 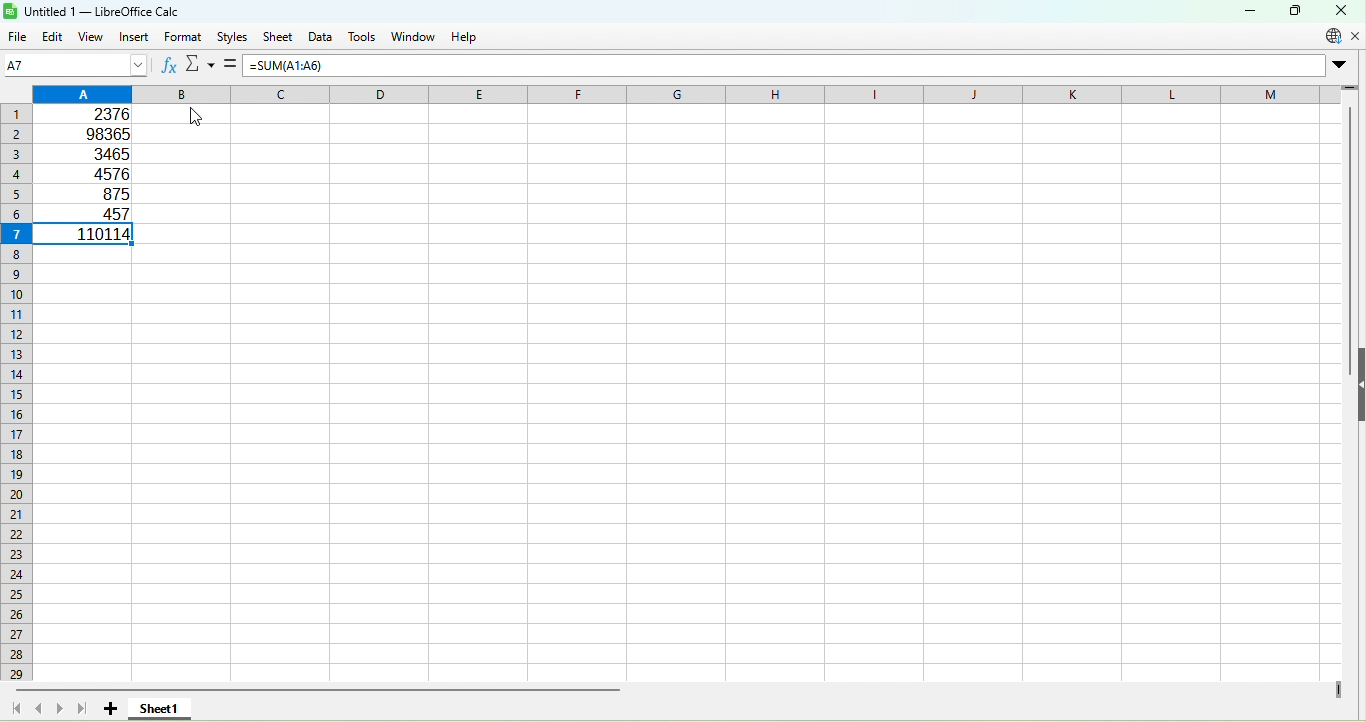 I want to click on Rows, so click(x=17, y=396).